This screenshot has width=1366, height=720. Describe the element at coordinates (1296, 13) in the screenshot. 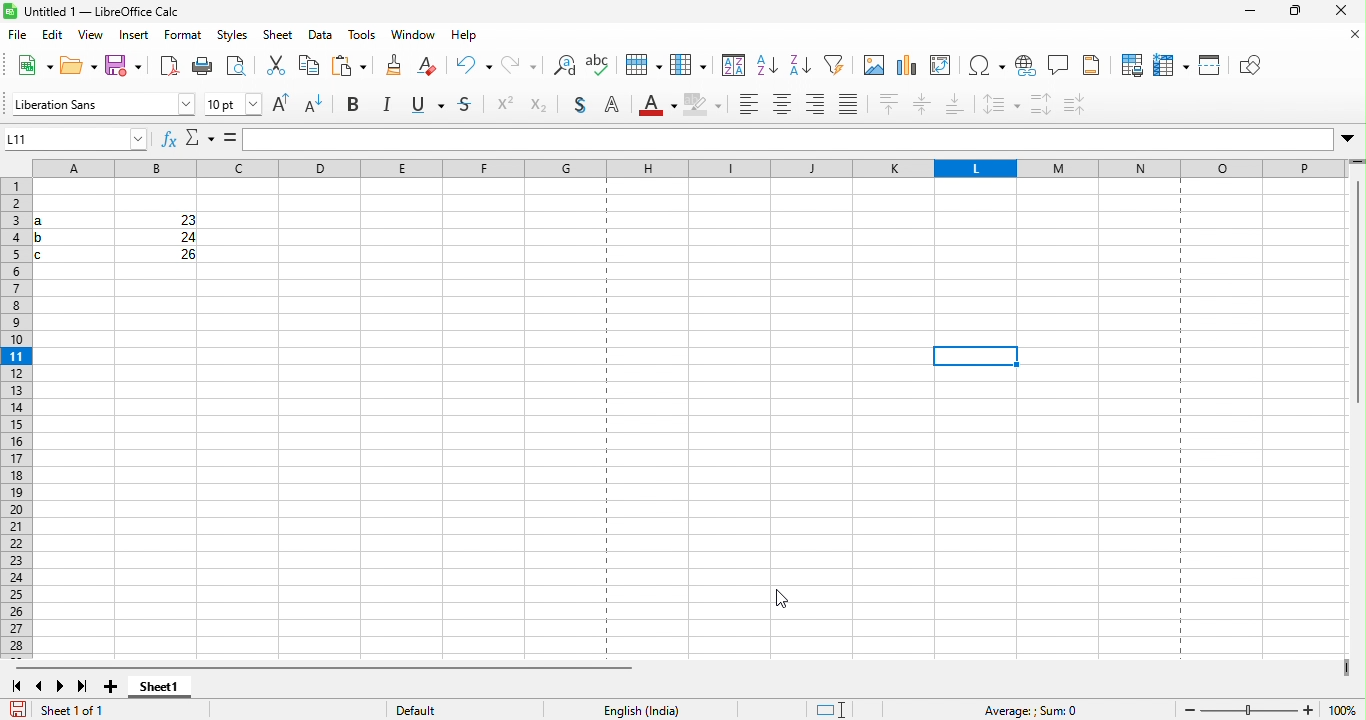

I see `maximize` at that location.